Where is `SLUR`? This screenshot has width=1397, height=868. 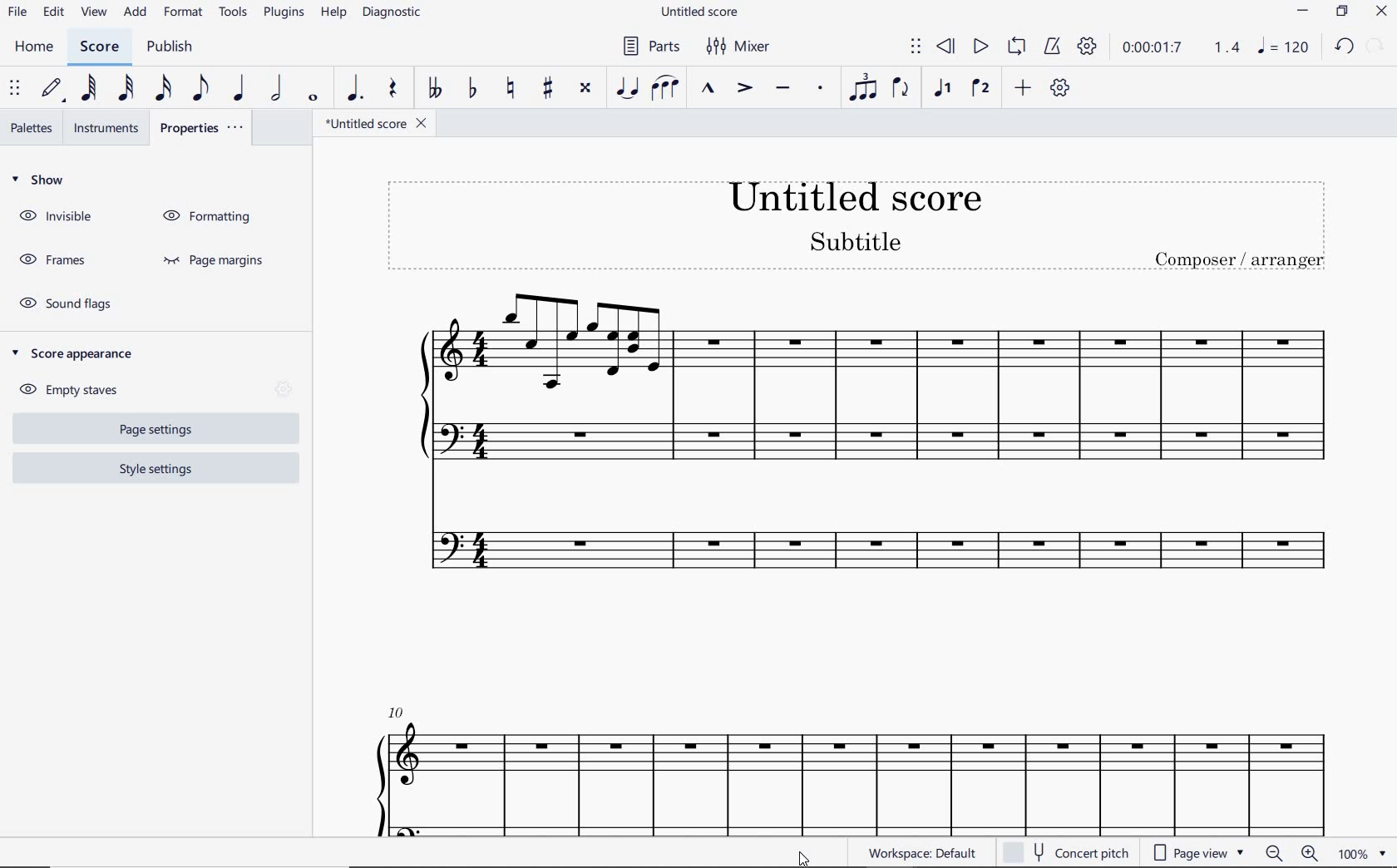
SLUR is located at coordinates (666, 88).